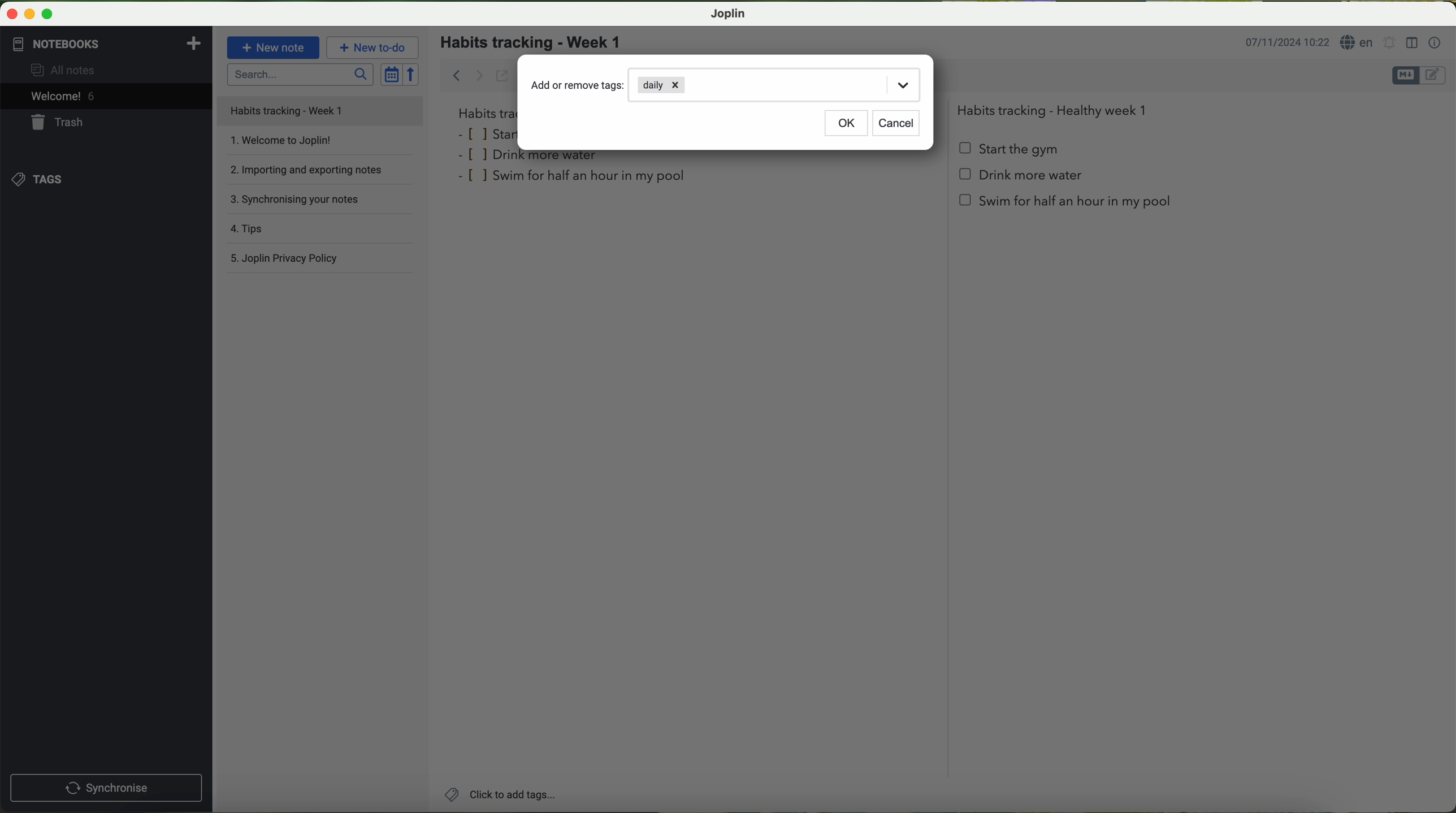 The image size is (1456, 813). What do you see at coordinates (105, 789) in the screenshot?
I see `synchronnise button` at bounding box center [105, 789].